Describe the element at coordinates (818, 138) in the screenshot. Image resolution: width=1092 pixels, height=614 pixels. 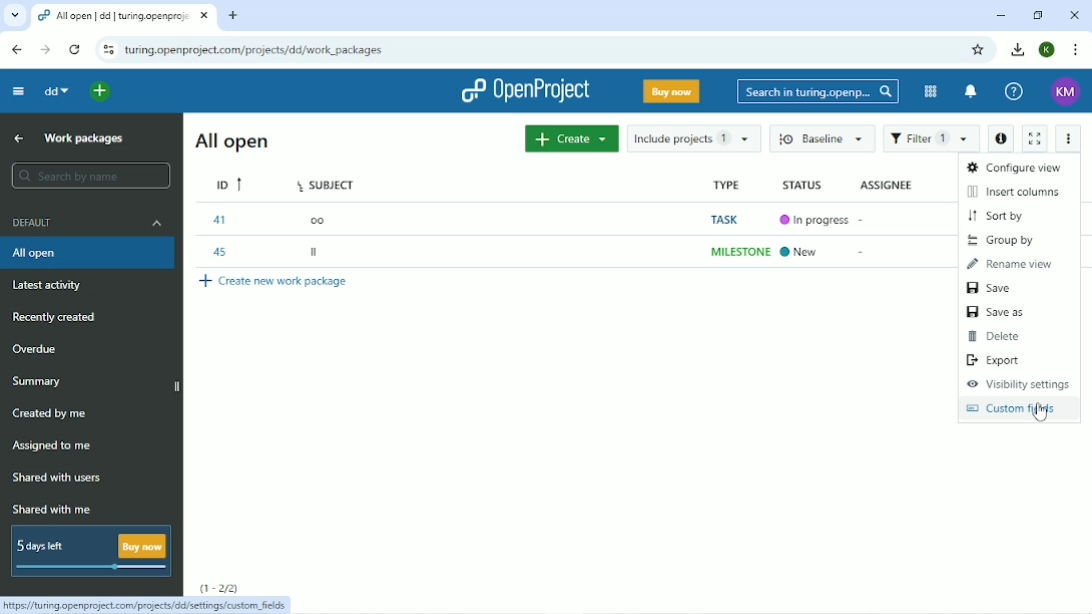
I see `Baseline` at that location.